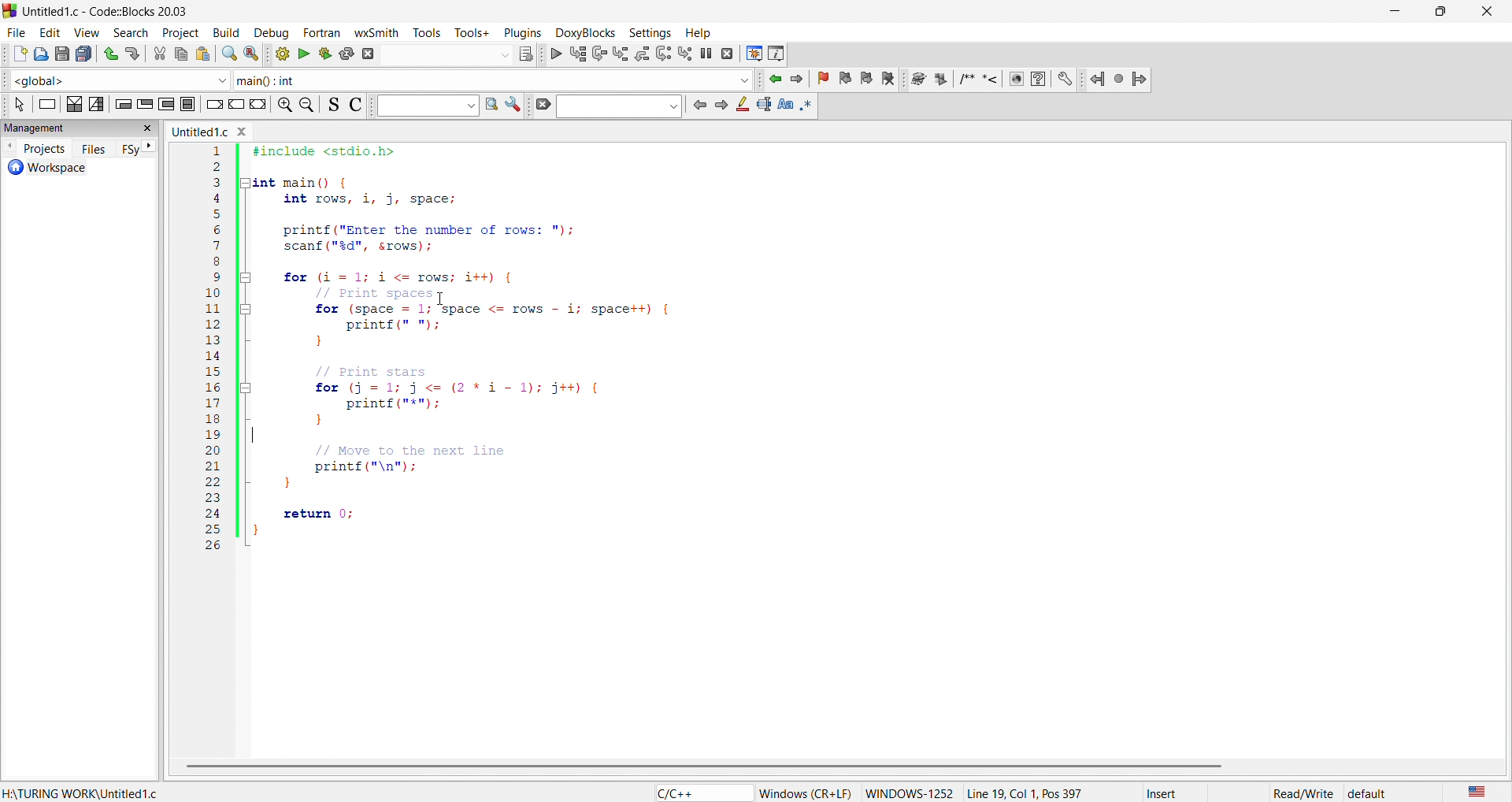  I want to click on insert comment box, so click(965, 79).